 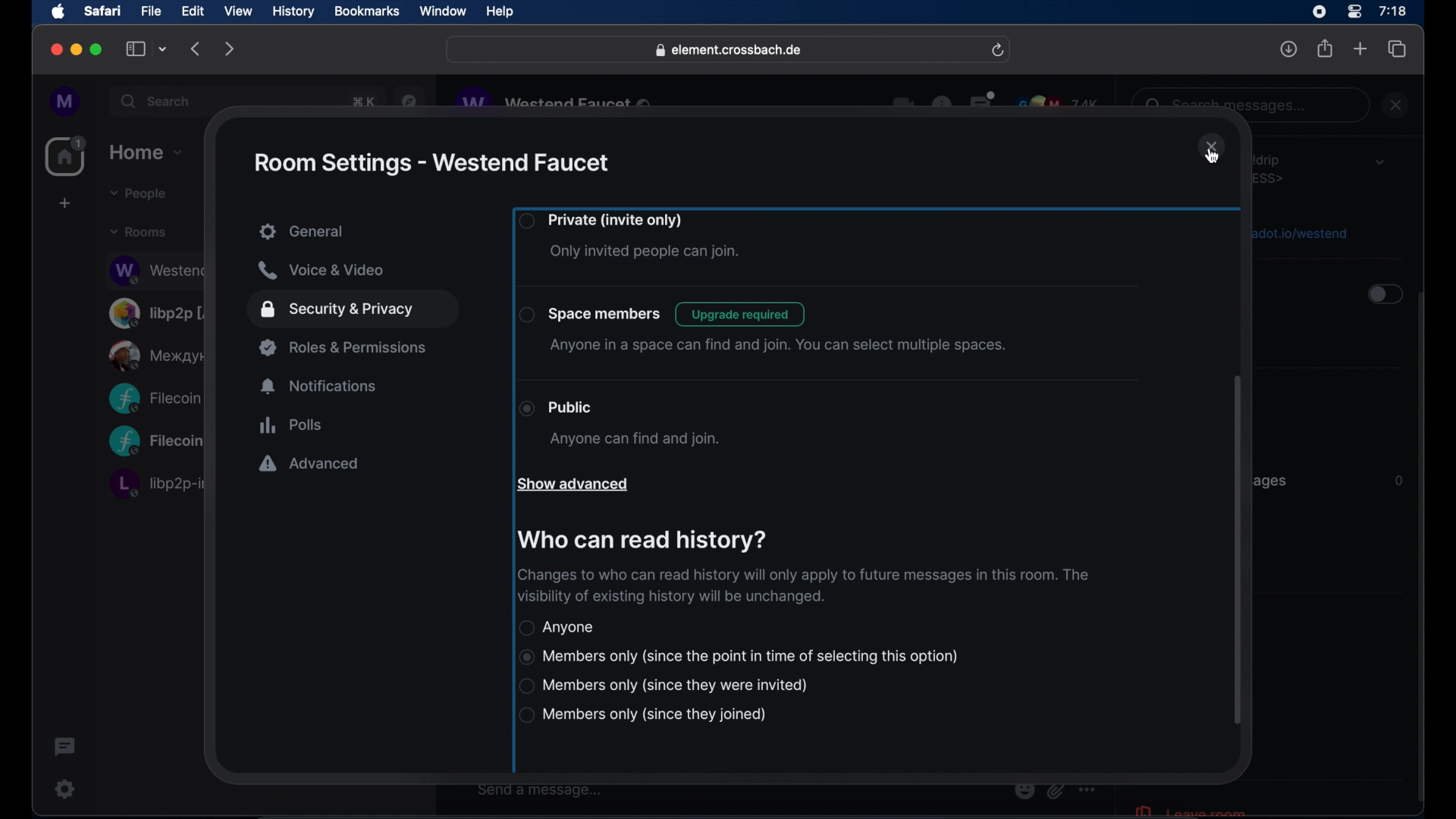 What do you see at coordinates (139, 232) in the screenshot?
I see `rooms dropdown` at bounding box center [139, 232].